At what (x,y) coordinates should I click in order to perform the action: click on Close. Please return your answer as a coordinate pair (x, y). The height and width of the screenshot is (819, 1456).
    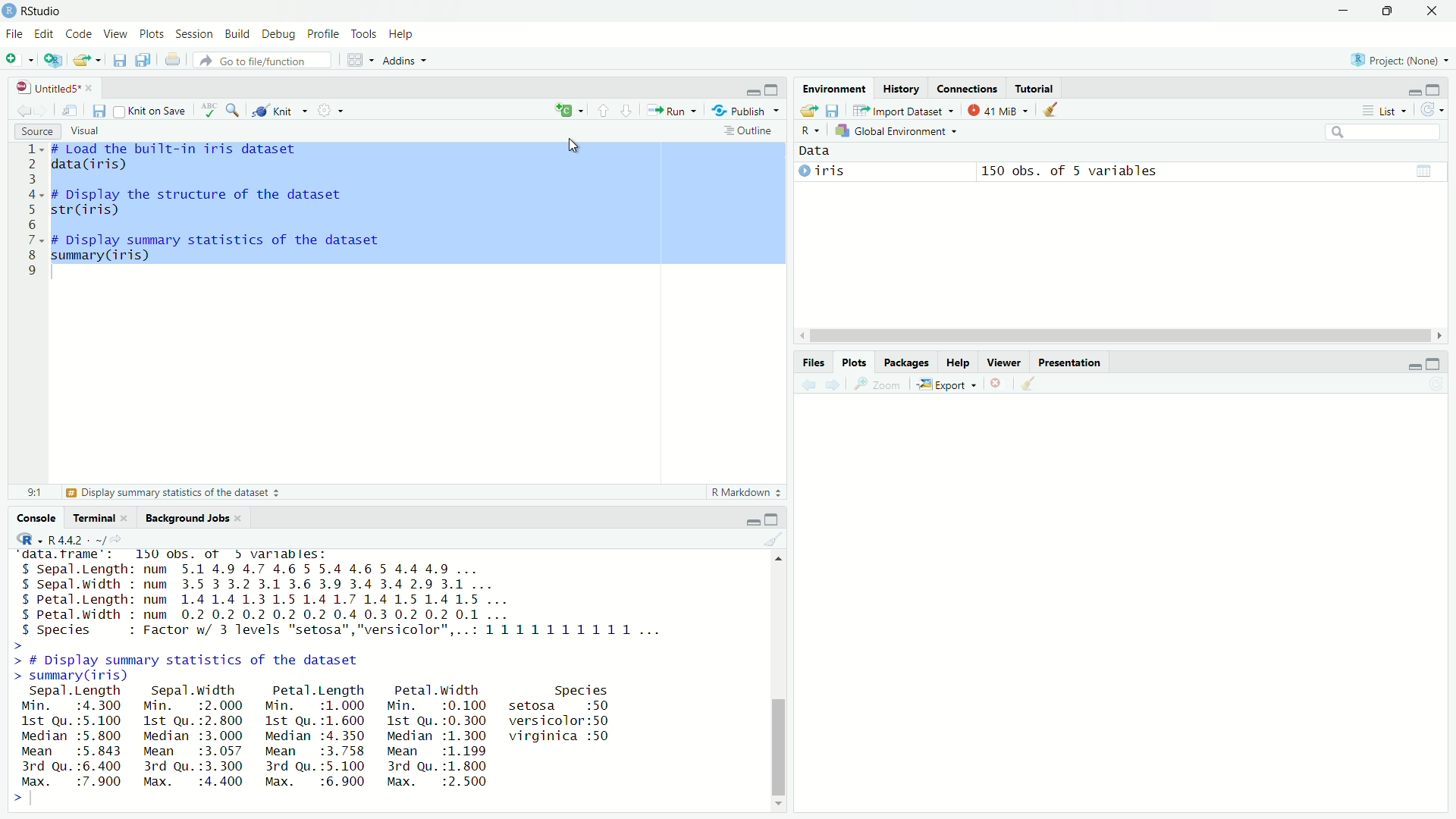
    Looking at the image, I should click on (1432, 10).